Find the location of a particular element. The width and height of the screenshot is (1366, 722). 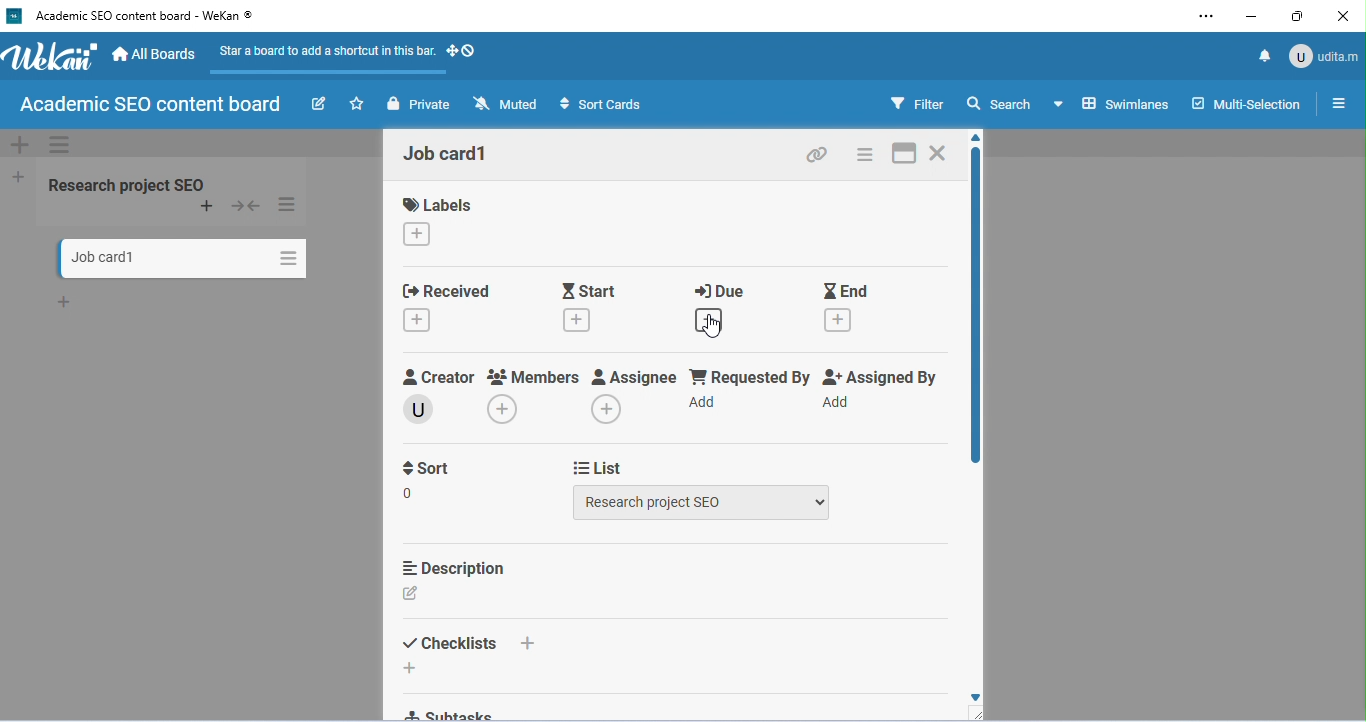

close card is located at coordinates (941, 152).